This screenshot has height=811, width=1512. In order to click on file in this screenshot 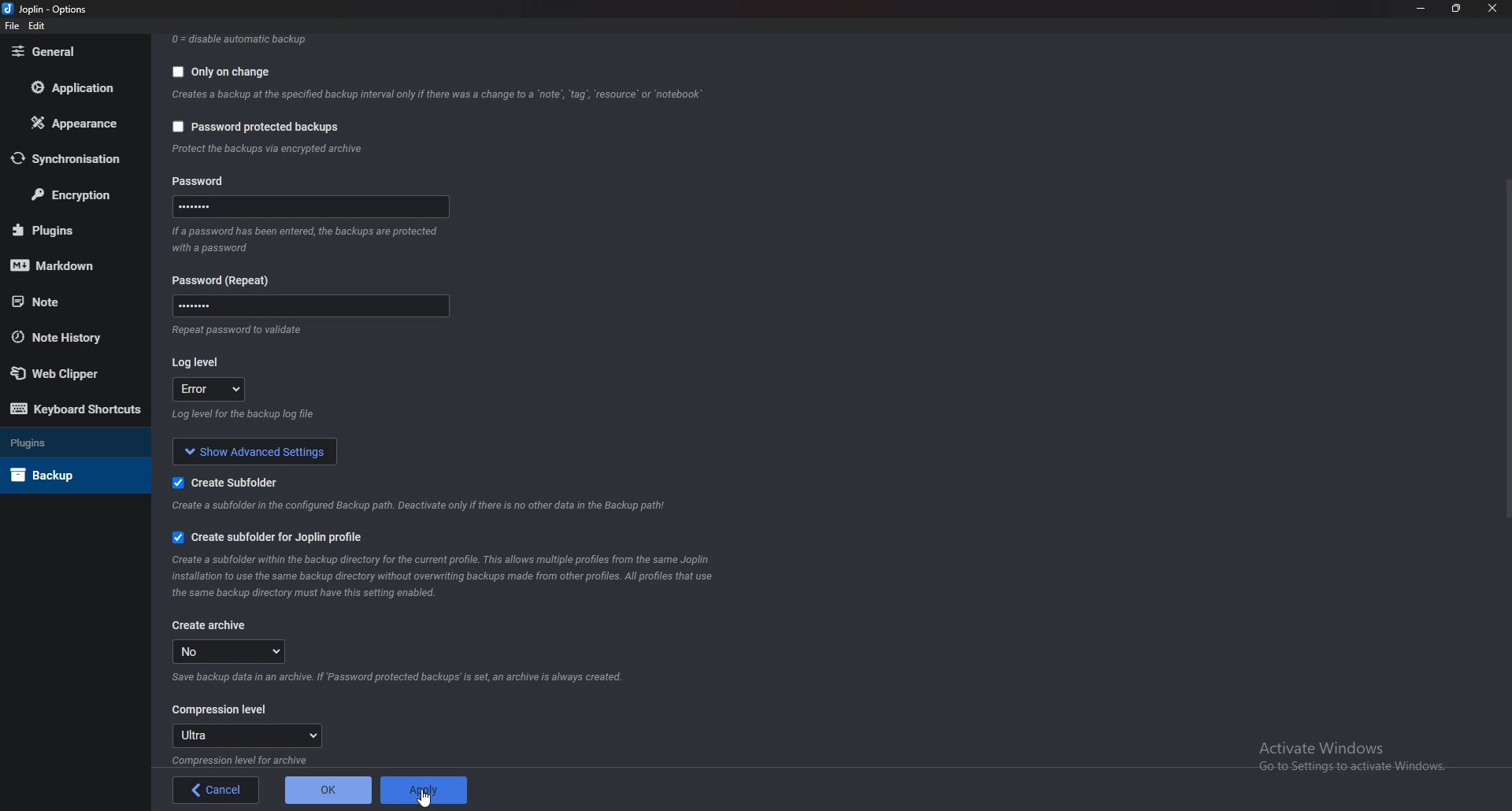, I will do `click(13, 26)`.